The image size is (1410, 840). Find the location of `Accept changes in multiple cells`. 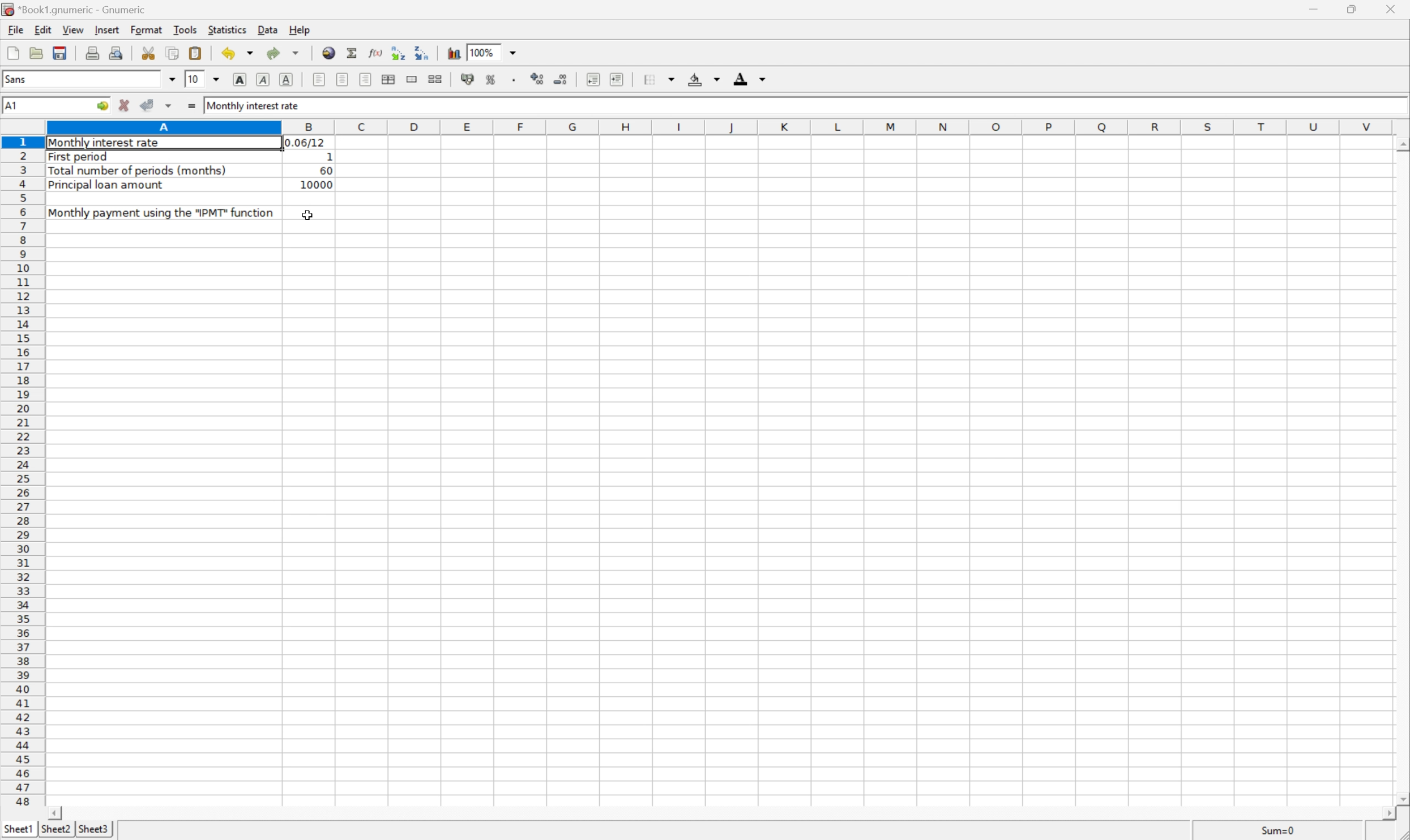

Accept changes in multiple cells is located at coordinates (169, 106).